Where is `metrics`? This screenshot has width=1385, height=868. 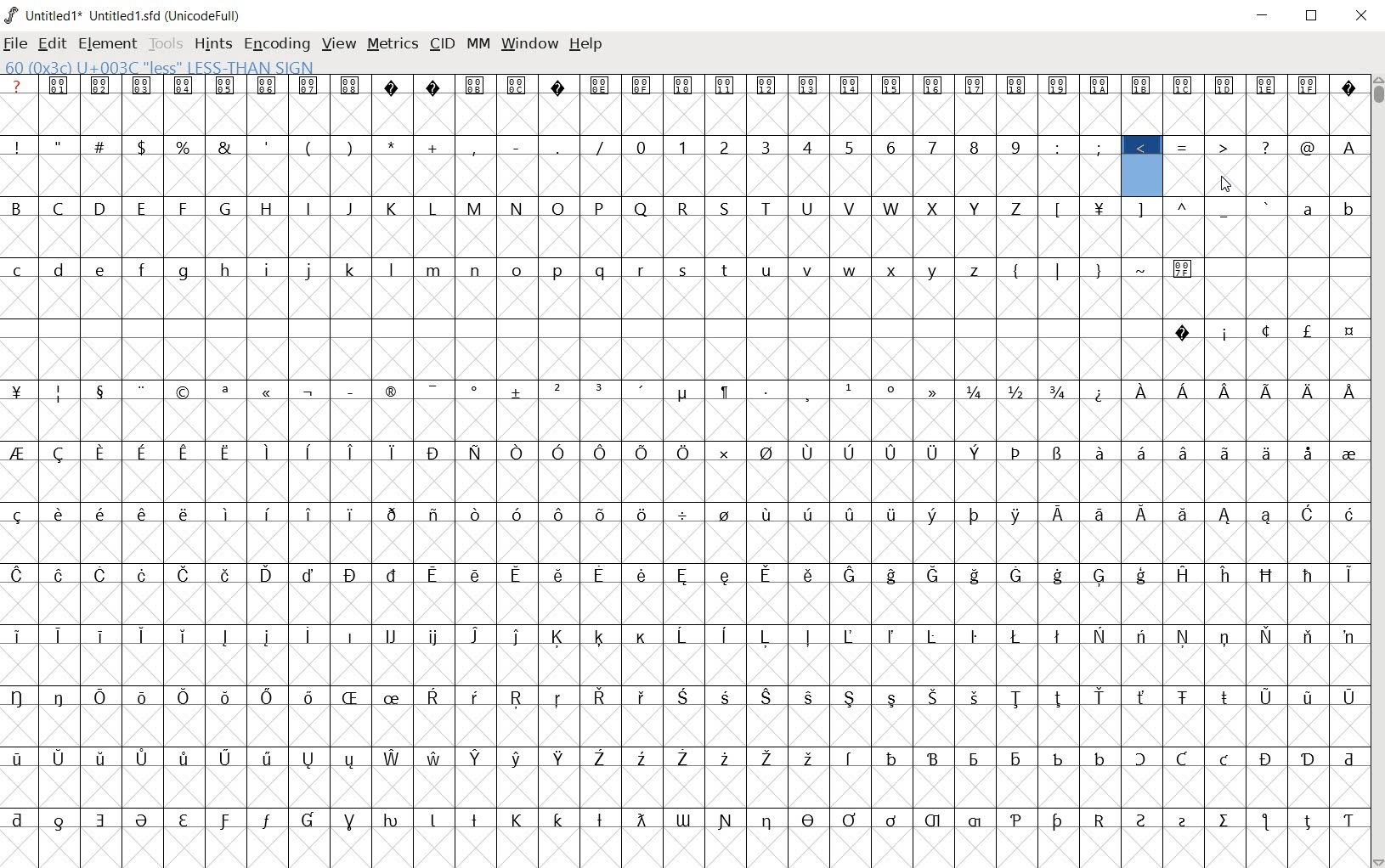 metrics is located at coordinates (394, 45).